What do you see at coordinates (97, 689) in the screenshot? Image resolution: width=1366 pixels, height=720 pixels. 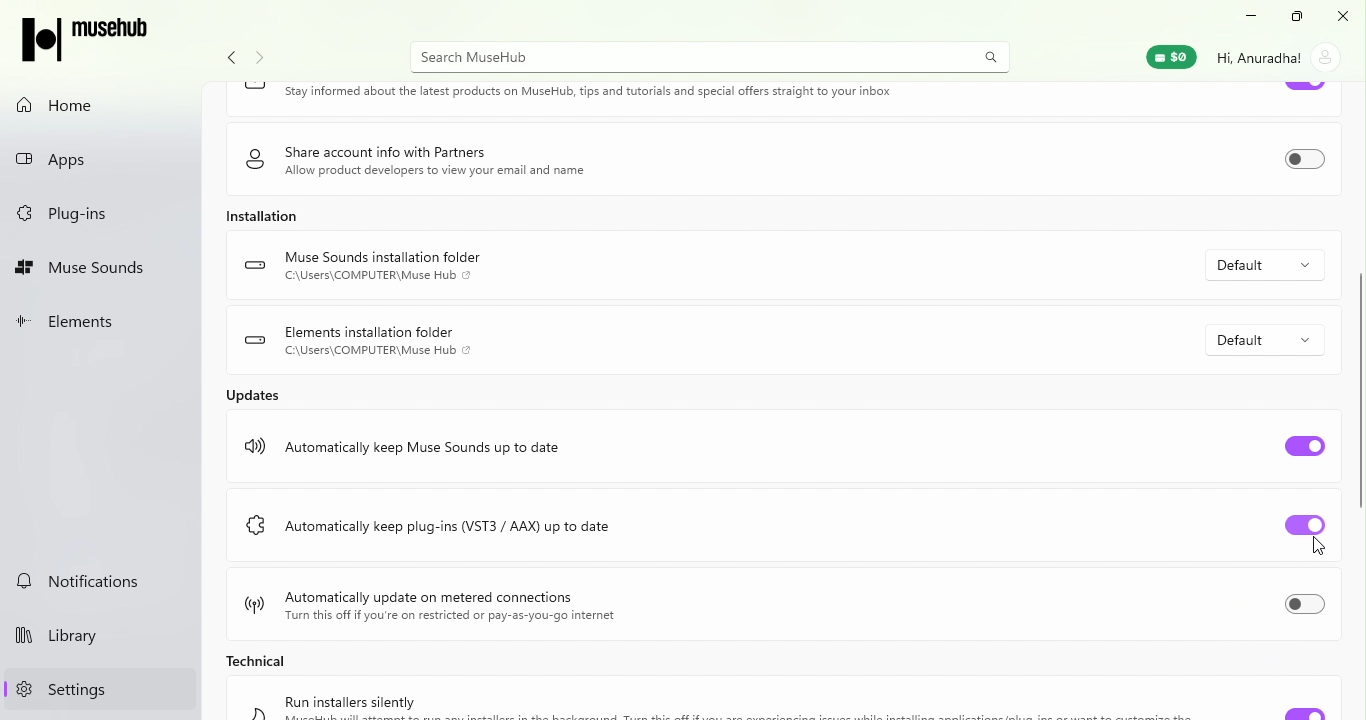 I see `Settings` at bounding box center [97, 689].